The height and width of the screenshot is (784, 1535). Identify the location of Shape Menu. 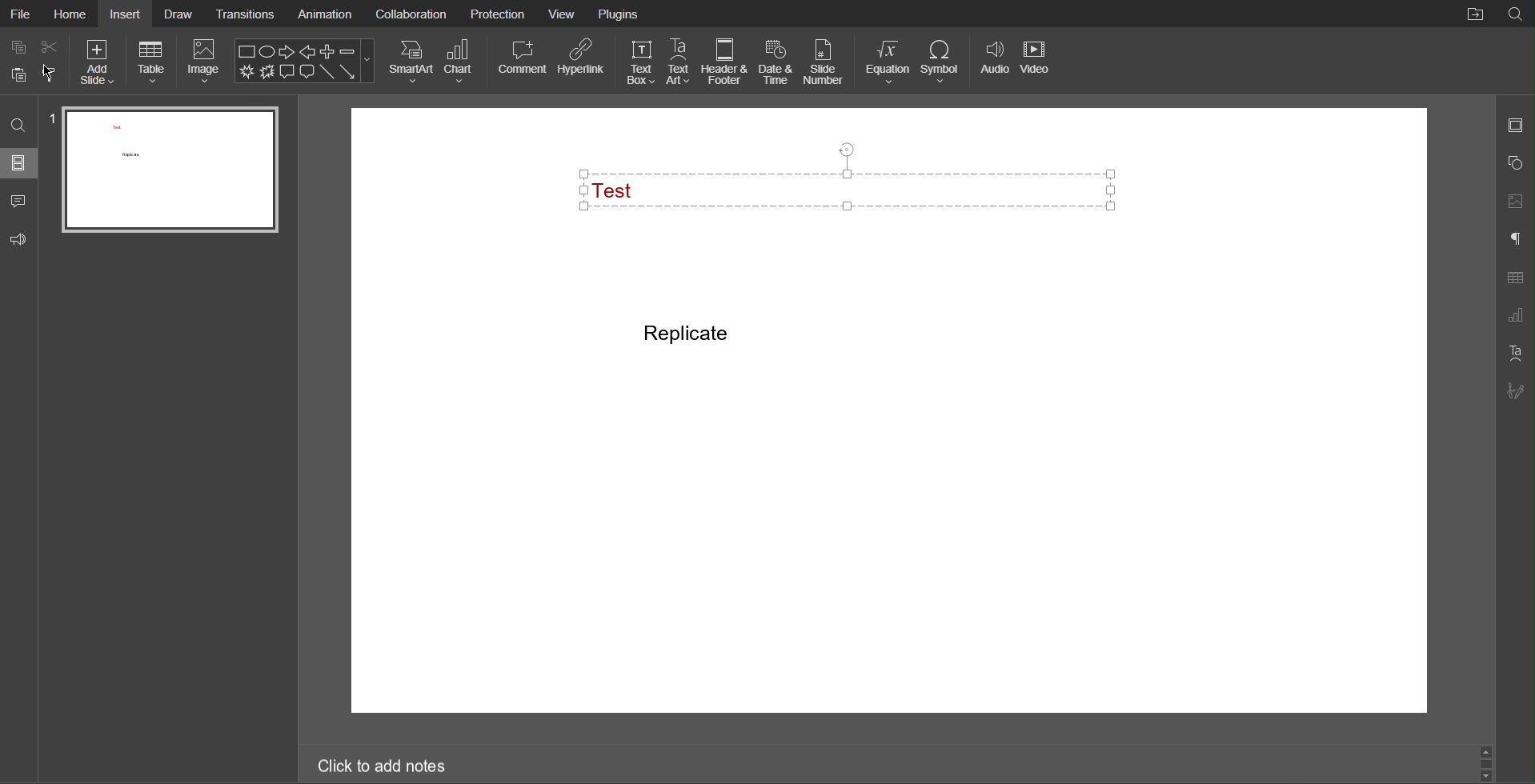
(305, 61).